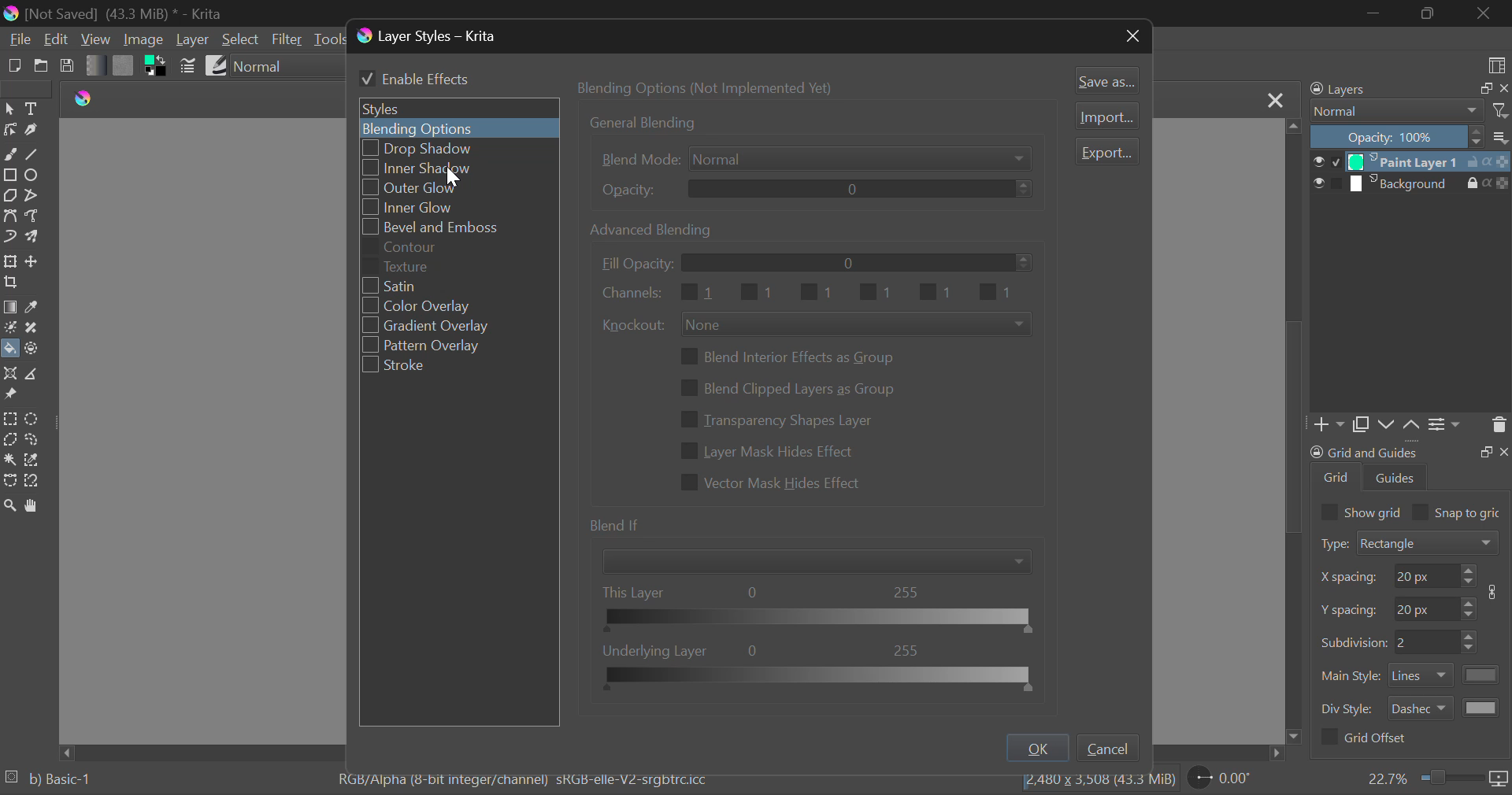  Describe the element at coordinates (1411, 545) in the screenshot. I see `Grid Type` at that location.